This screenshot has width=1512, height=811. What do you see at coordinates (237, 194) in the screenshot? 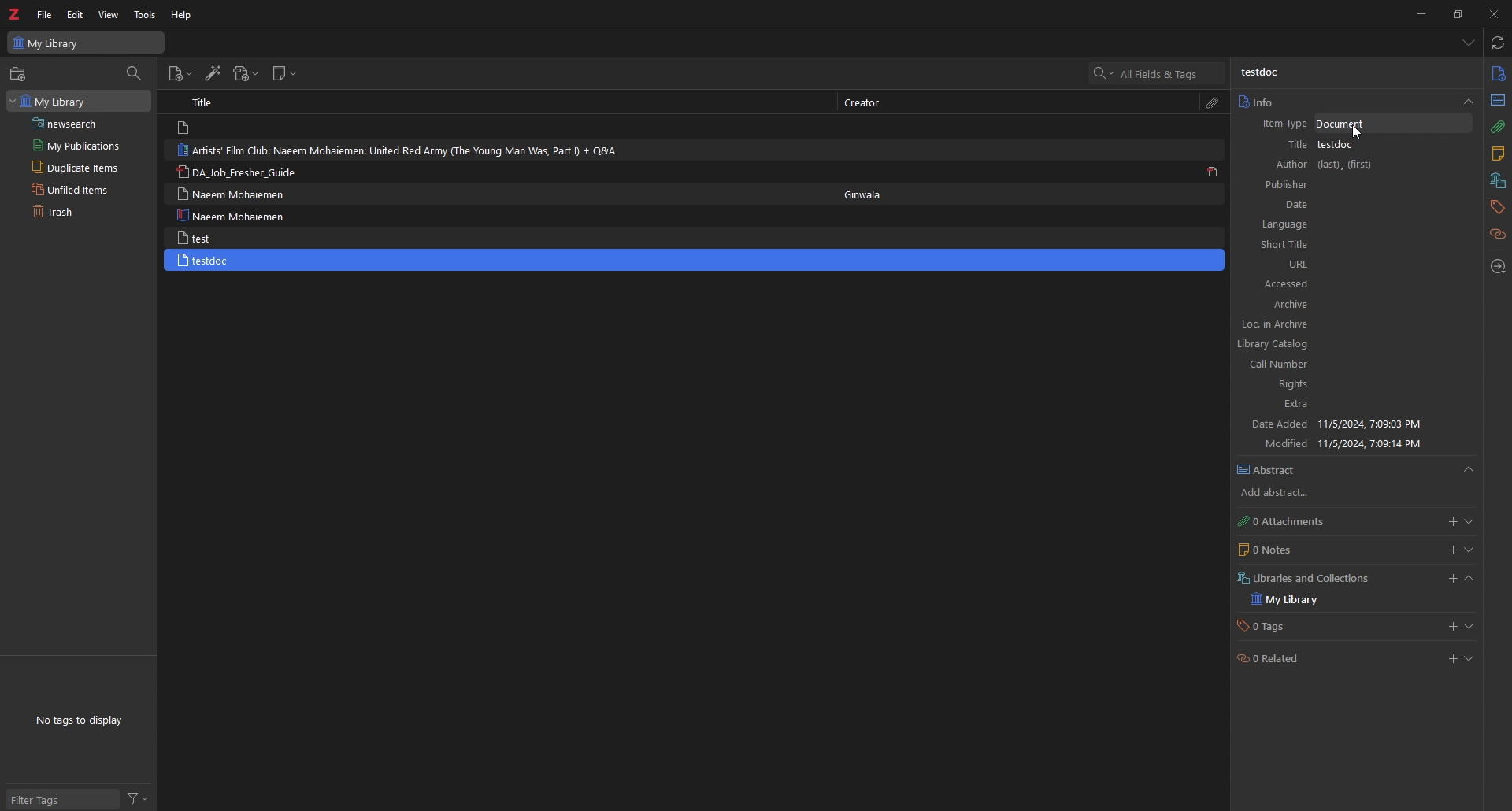
I see `Naeem Mohaiemen` at bounding box center [237, 194].